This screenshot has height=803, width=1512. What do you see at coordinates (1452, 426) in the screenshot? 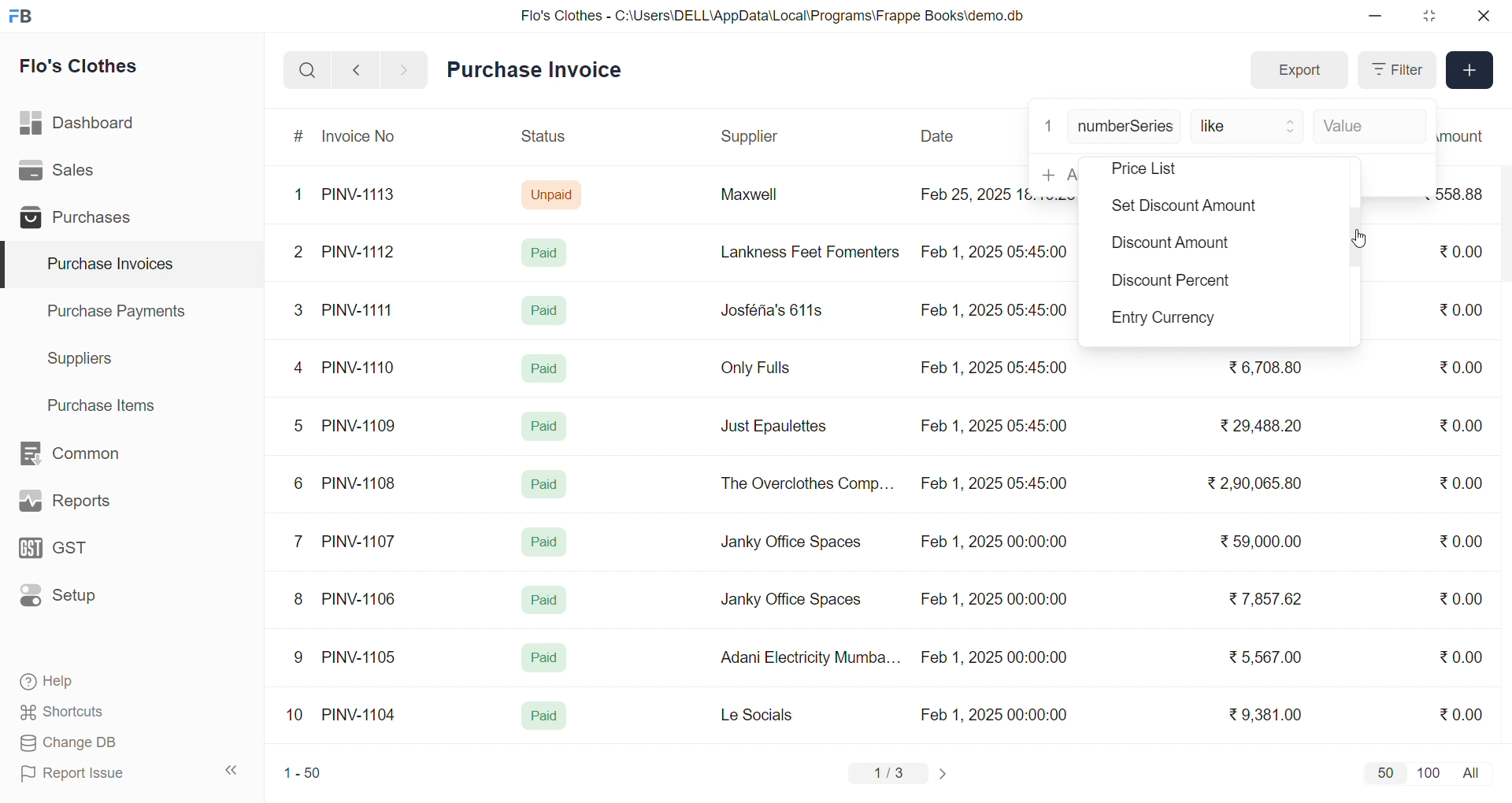
I see `₹0.00` at bounding box center [1452, 426].